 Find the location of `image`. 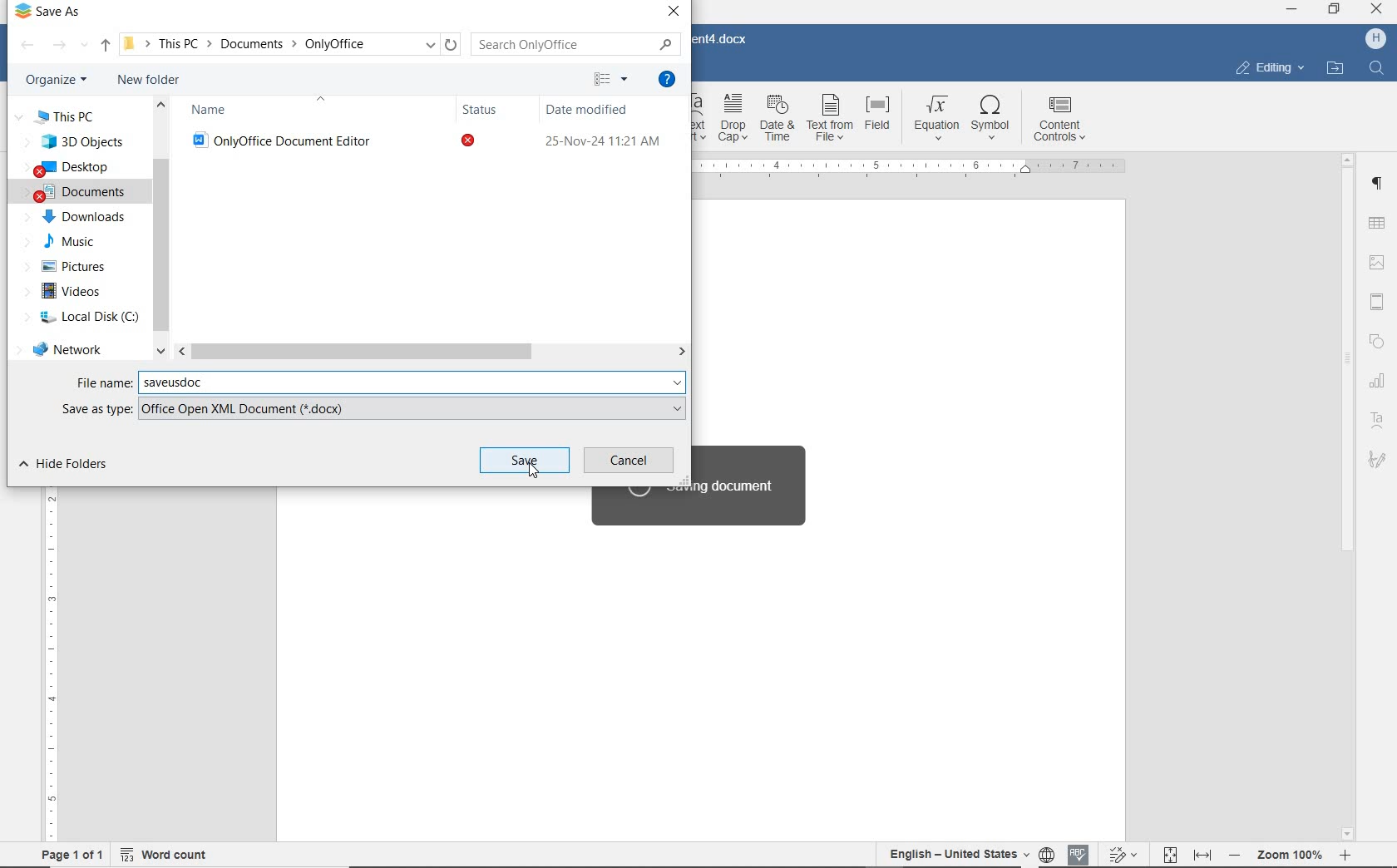

image is located at coordinates (1380, 262).